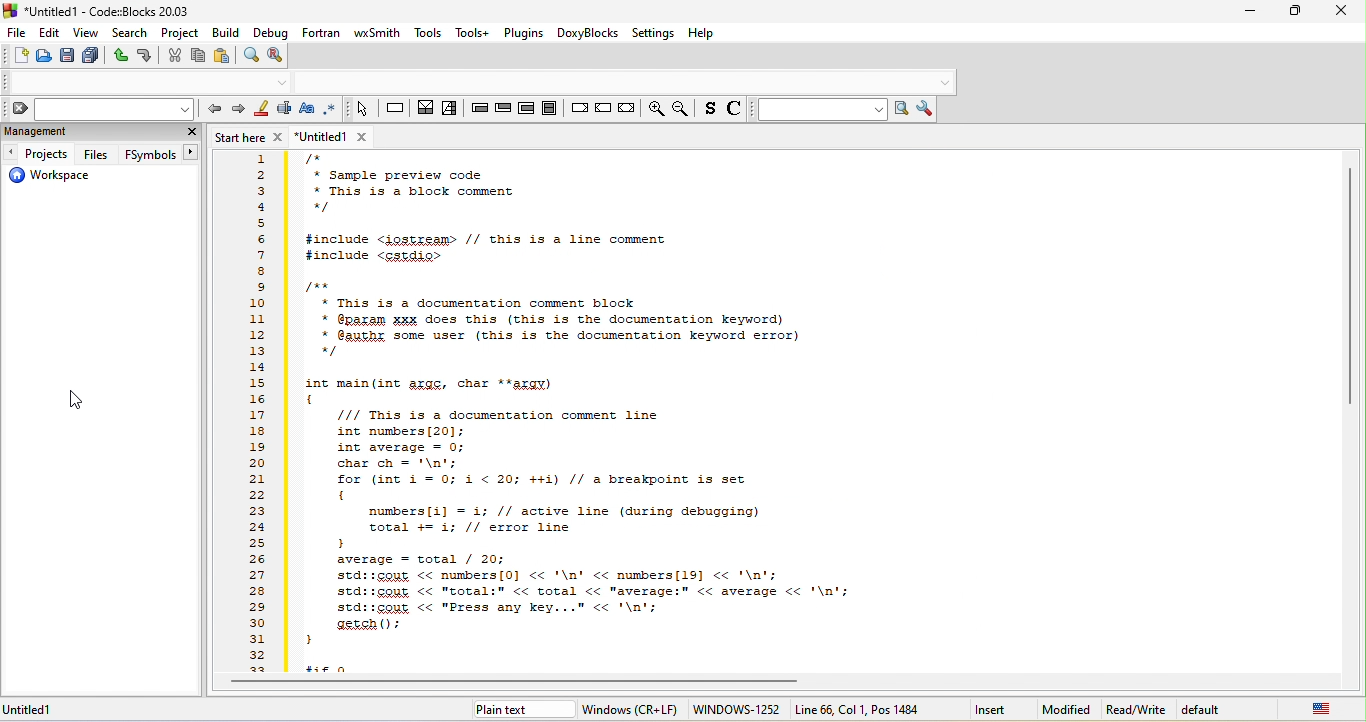  Describe the element at coordinates (549, 107) in the screenshot. I see `block` at that location.